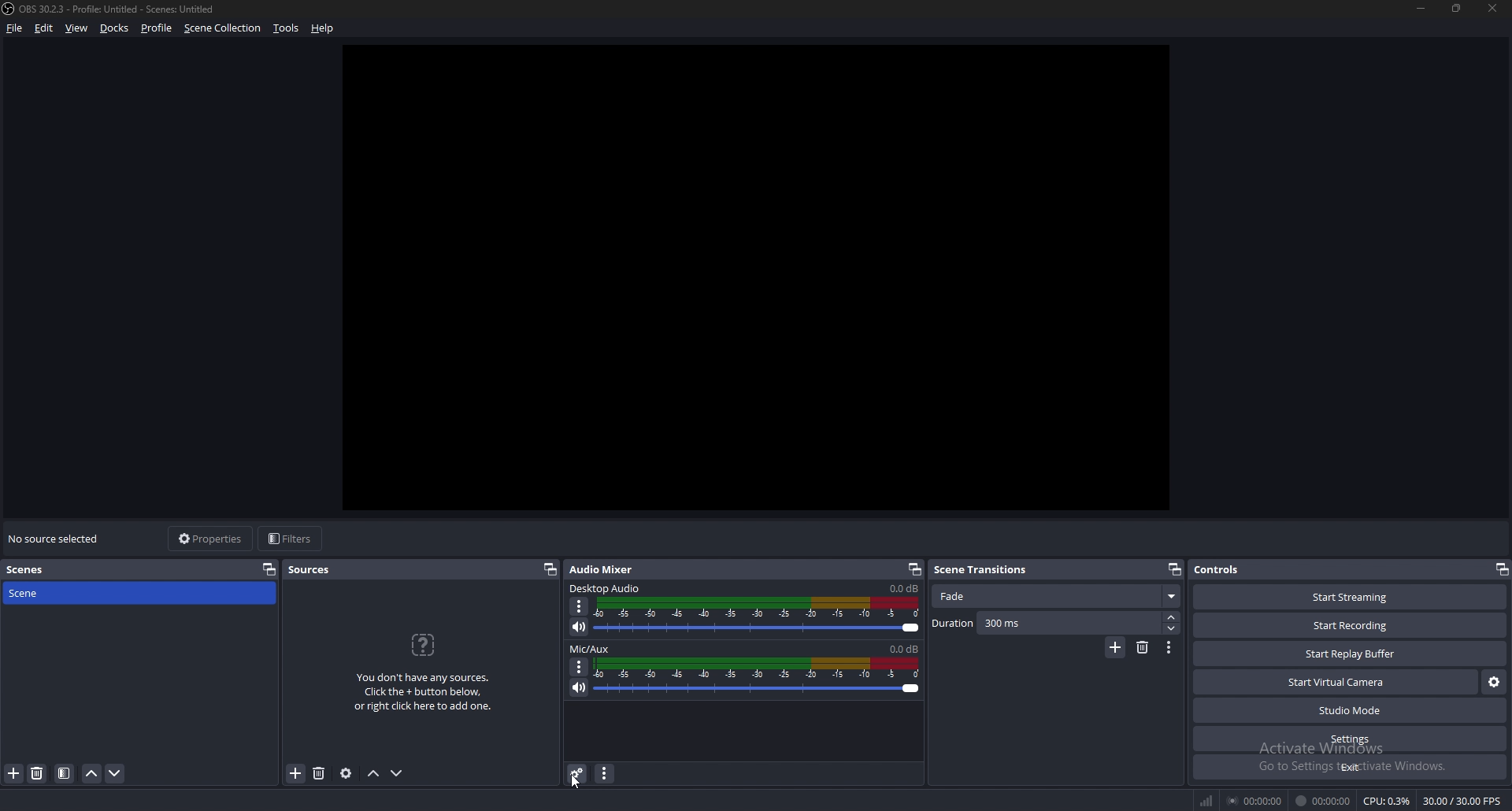  Describe the element at coordinates (579, 667) in the screenshot. I see `options` at that location.